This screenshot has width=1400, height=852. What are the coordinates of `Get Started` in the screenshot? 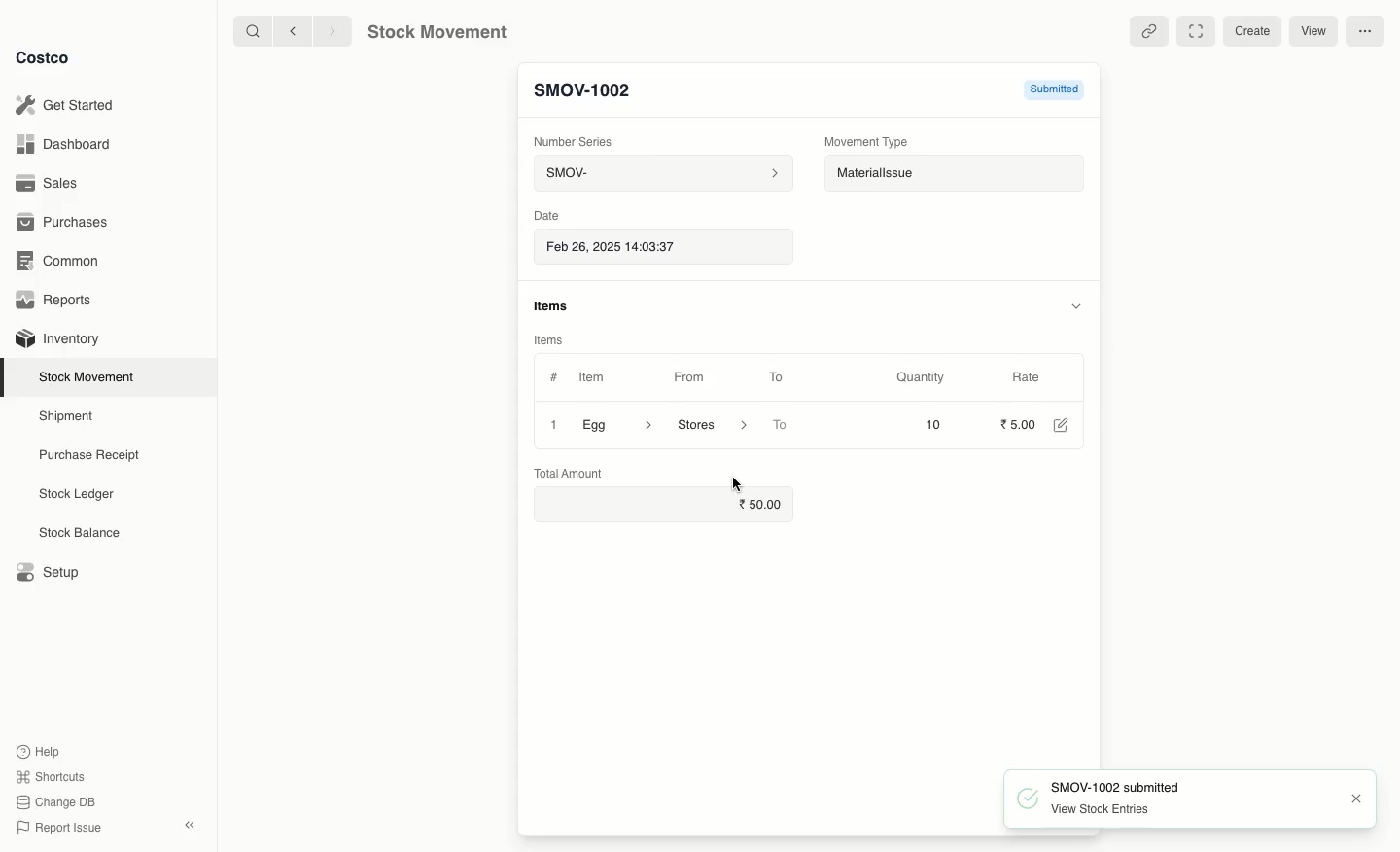 It's located at (69, 104).